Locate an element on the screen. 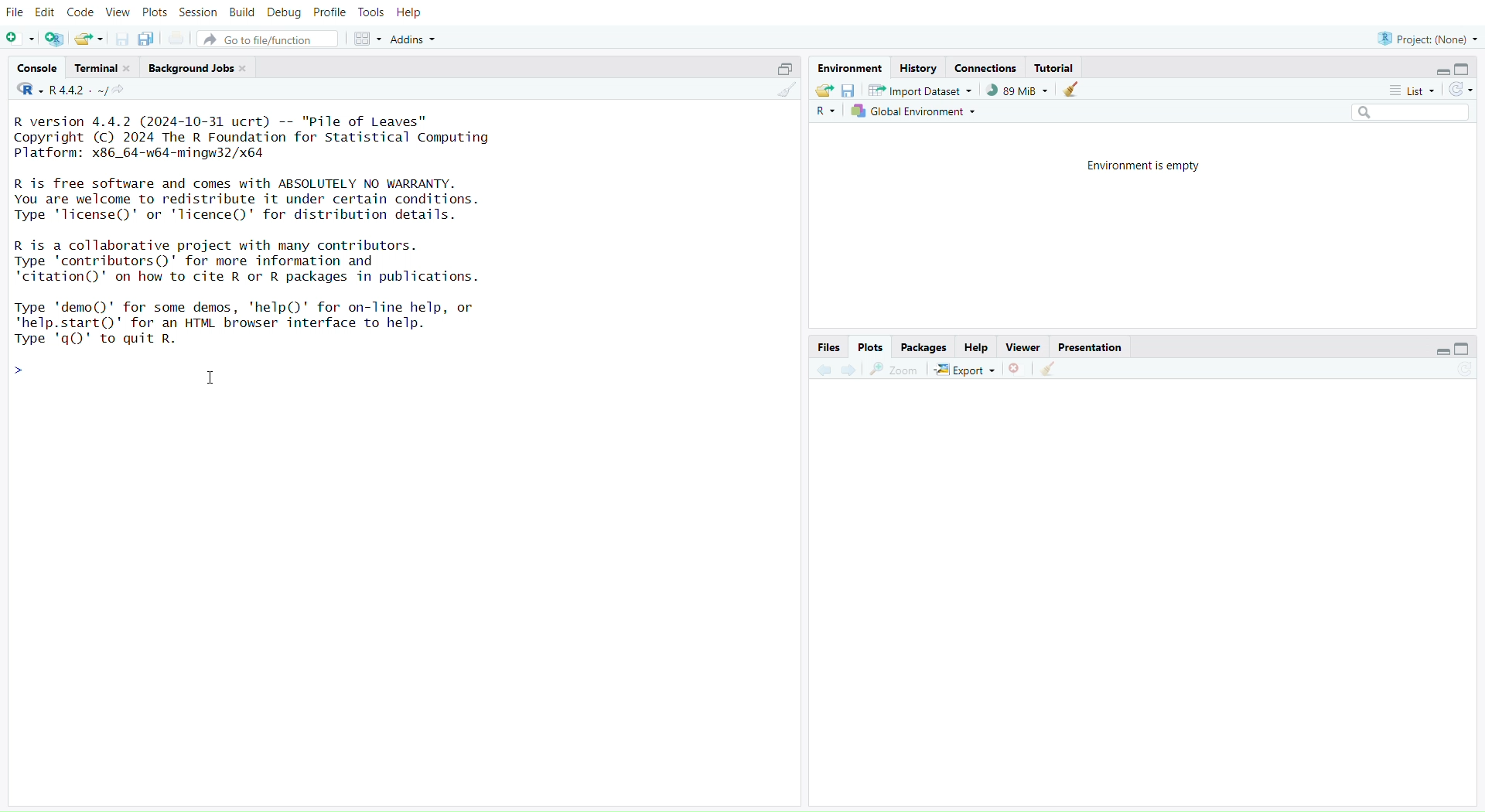 This screenshot has height=812, width=1485. Search filter is located at coordinates (1412, 113).